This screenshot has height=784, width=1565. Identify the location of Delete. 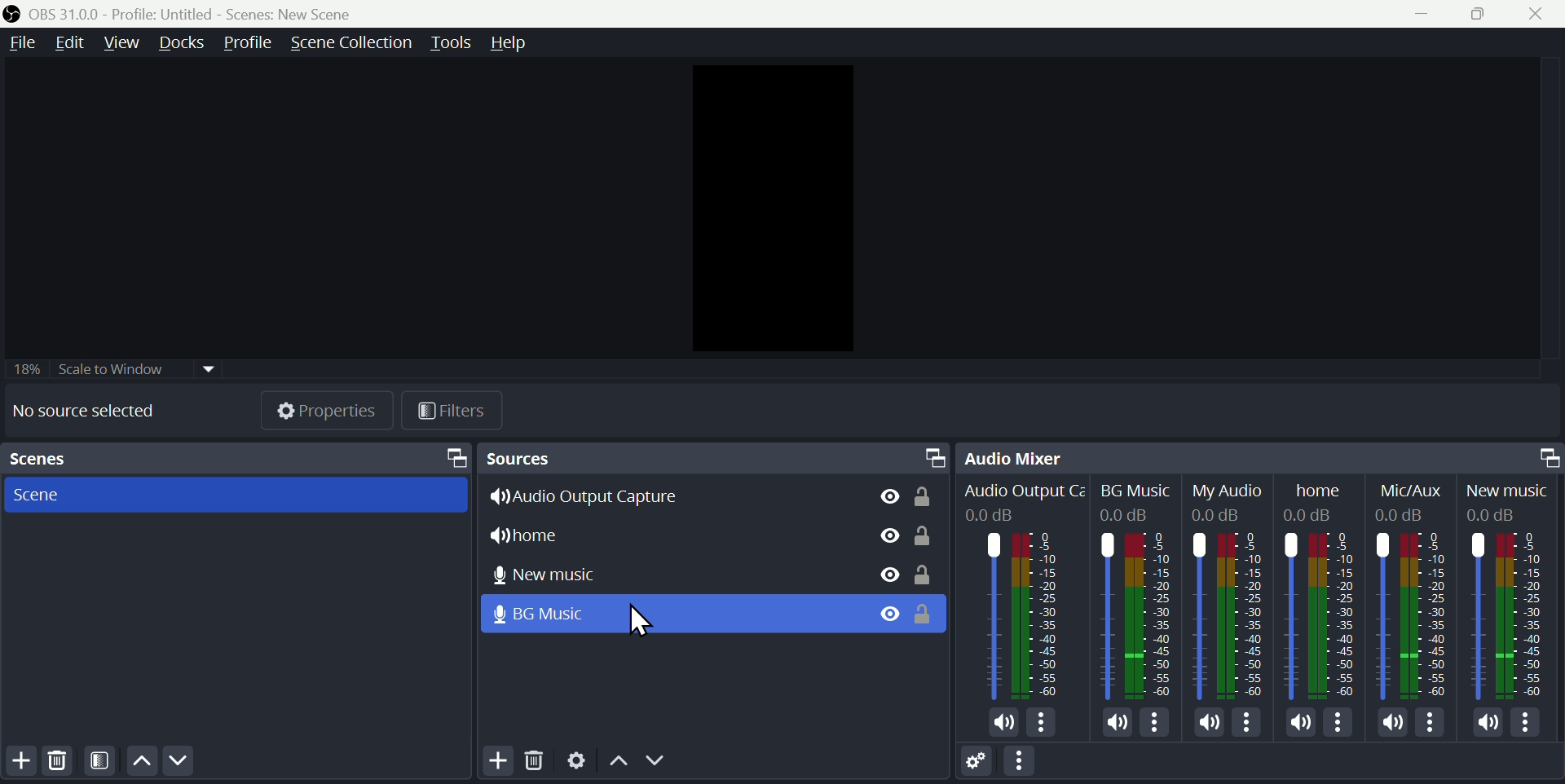
(55, 764).